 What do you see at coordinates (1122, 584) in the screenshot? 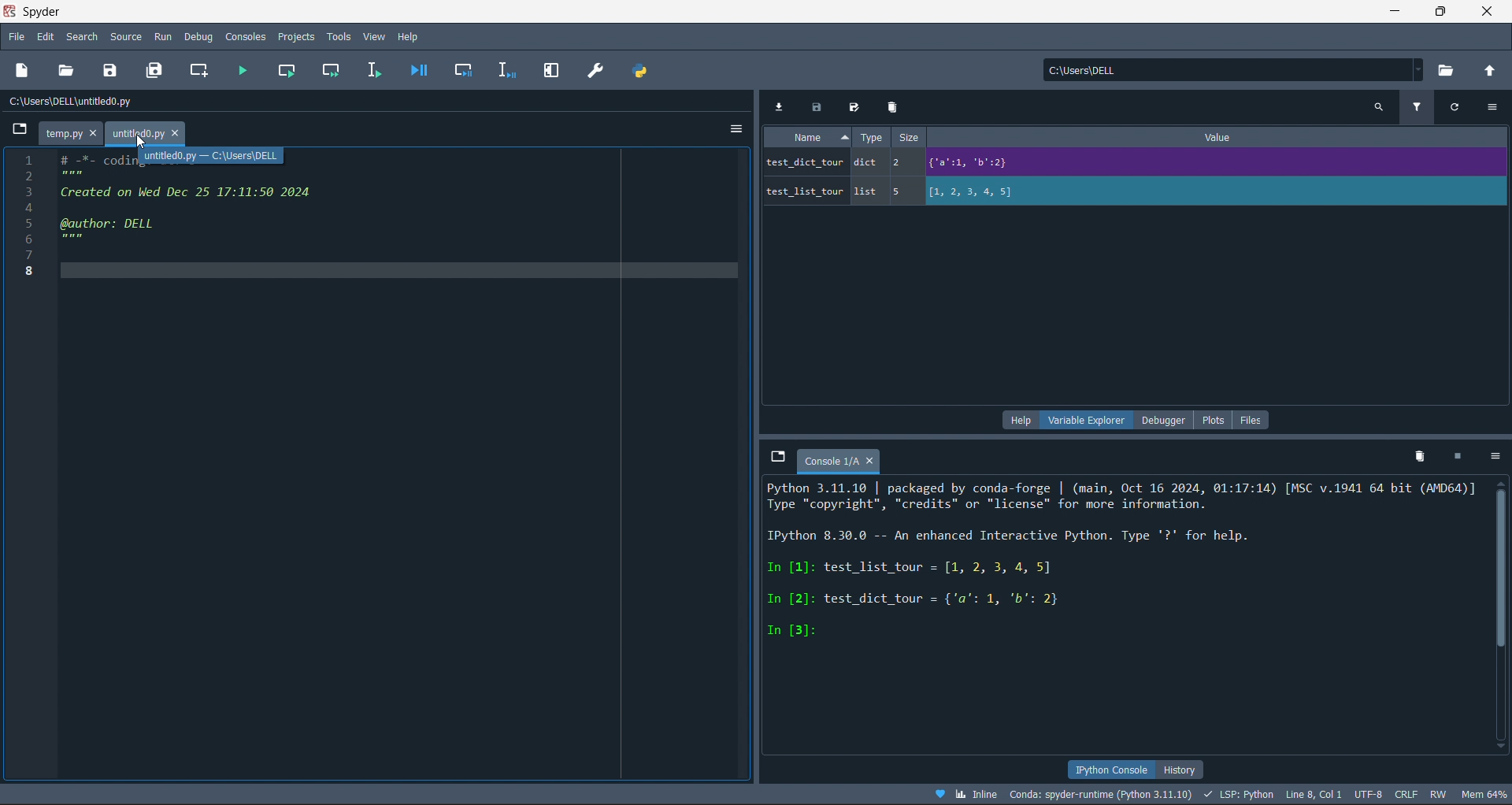
I see `Python 3.11.10 | packaged by conda-forge | (main, Oct 16 2024, 01:17:14) [MSC v.1941 64 bit (AMDG4)]
Type “copyright”, "credits" or "license" for more information.

Python 8.30.0 -- An enhanced Interactive Python. Type "2" for help.

In [1]: test_list_tour = [1, 2, 3, 4, 5]

In [2]: test_dict tour = {'a’: 1, 'b’: 2}

In [3]:` at bounding box center [1122, 584].